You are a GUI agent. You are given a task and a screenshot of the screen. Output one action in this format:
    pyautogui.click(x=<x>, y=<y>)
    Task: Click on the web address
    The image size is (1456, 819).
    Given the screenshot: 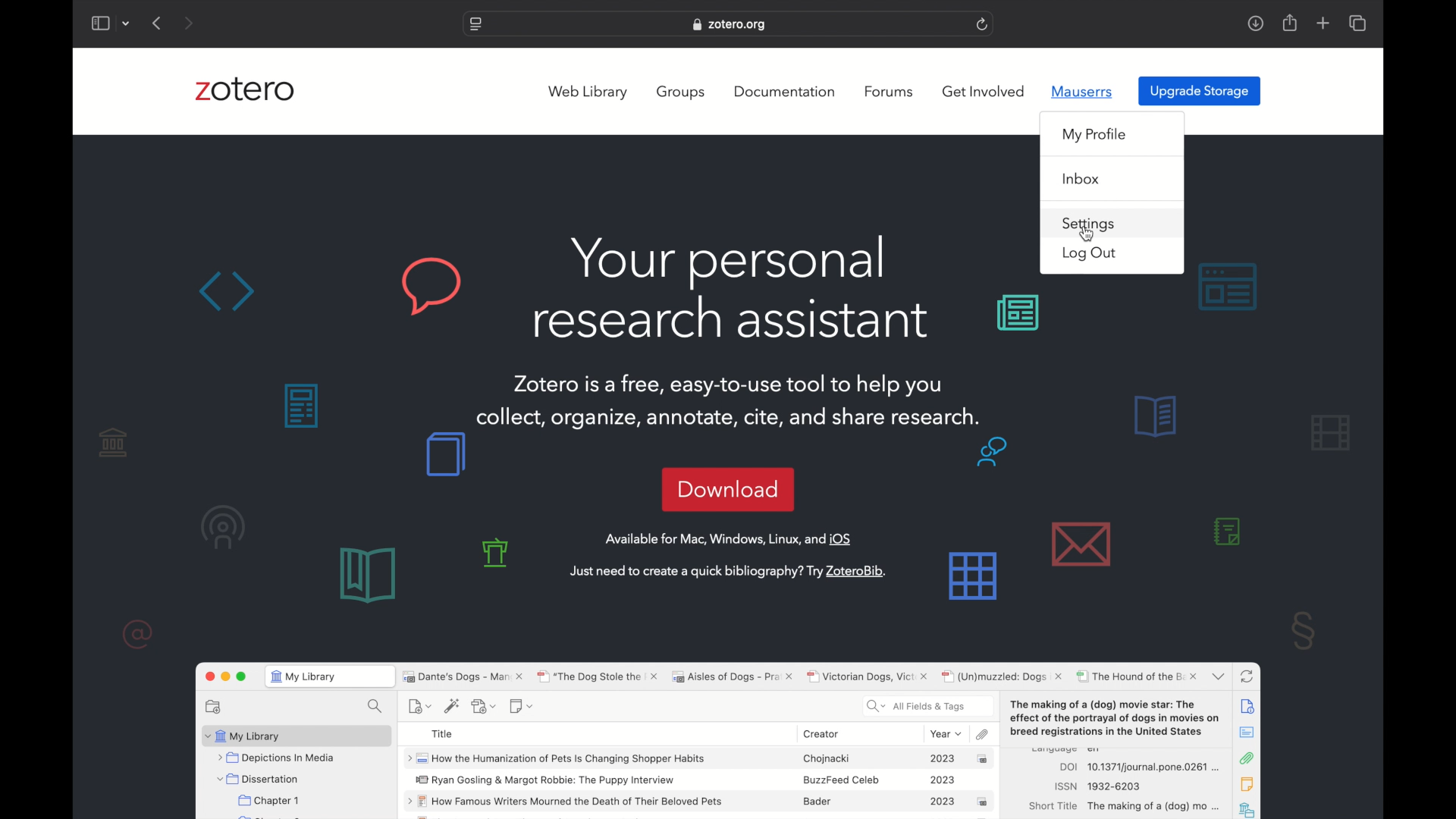 What is the action you would take?
    pyautogui.click(x=731, y=26)
    